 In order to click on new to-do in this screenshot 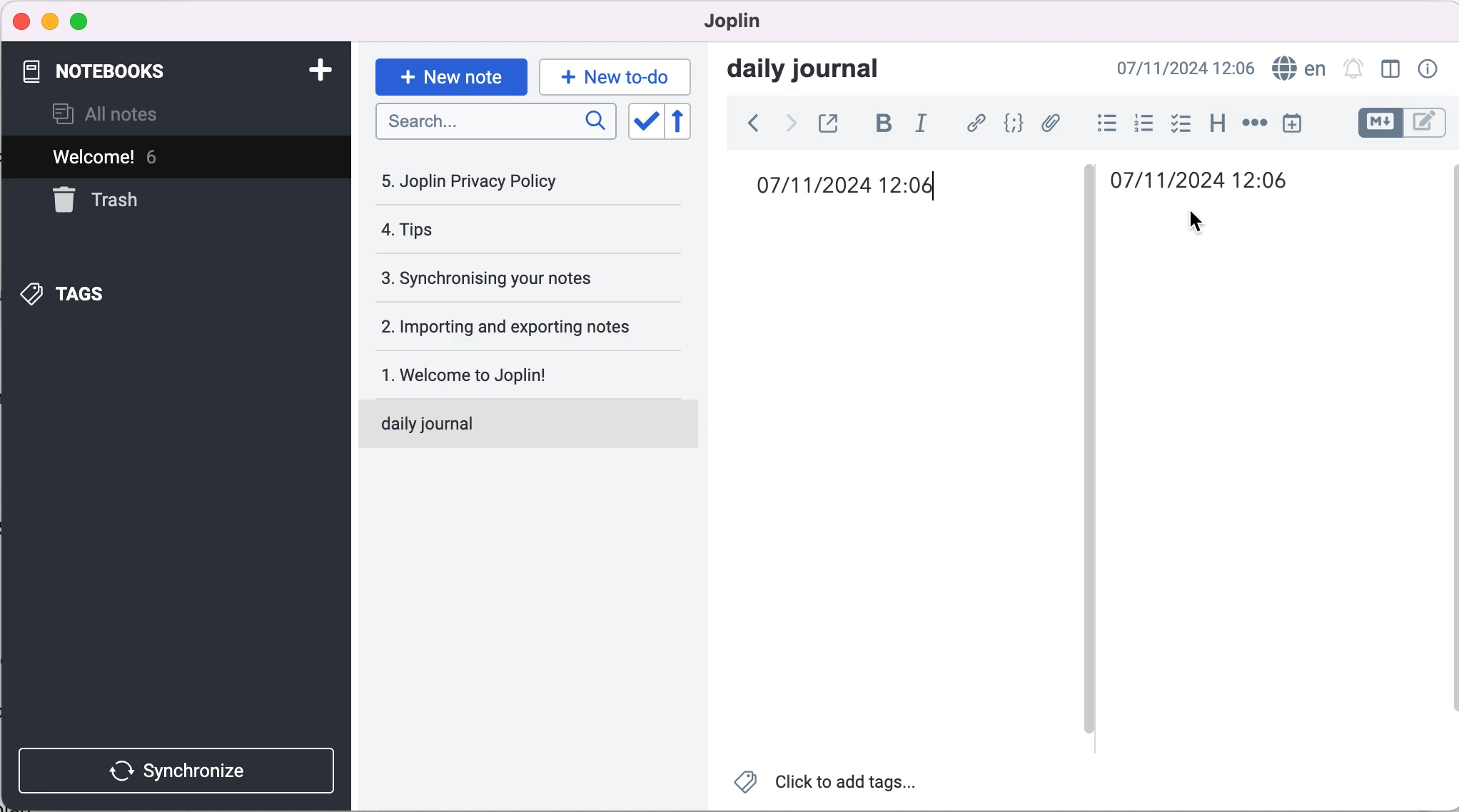, I will do `click(612, 76)`.